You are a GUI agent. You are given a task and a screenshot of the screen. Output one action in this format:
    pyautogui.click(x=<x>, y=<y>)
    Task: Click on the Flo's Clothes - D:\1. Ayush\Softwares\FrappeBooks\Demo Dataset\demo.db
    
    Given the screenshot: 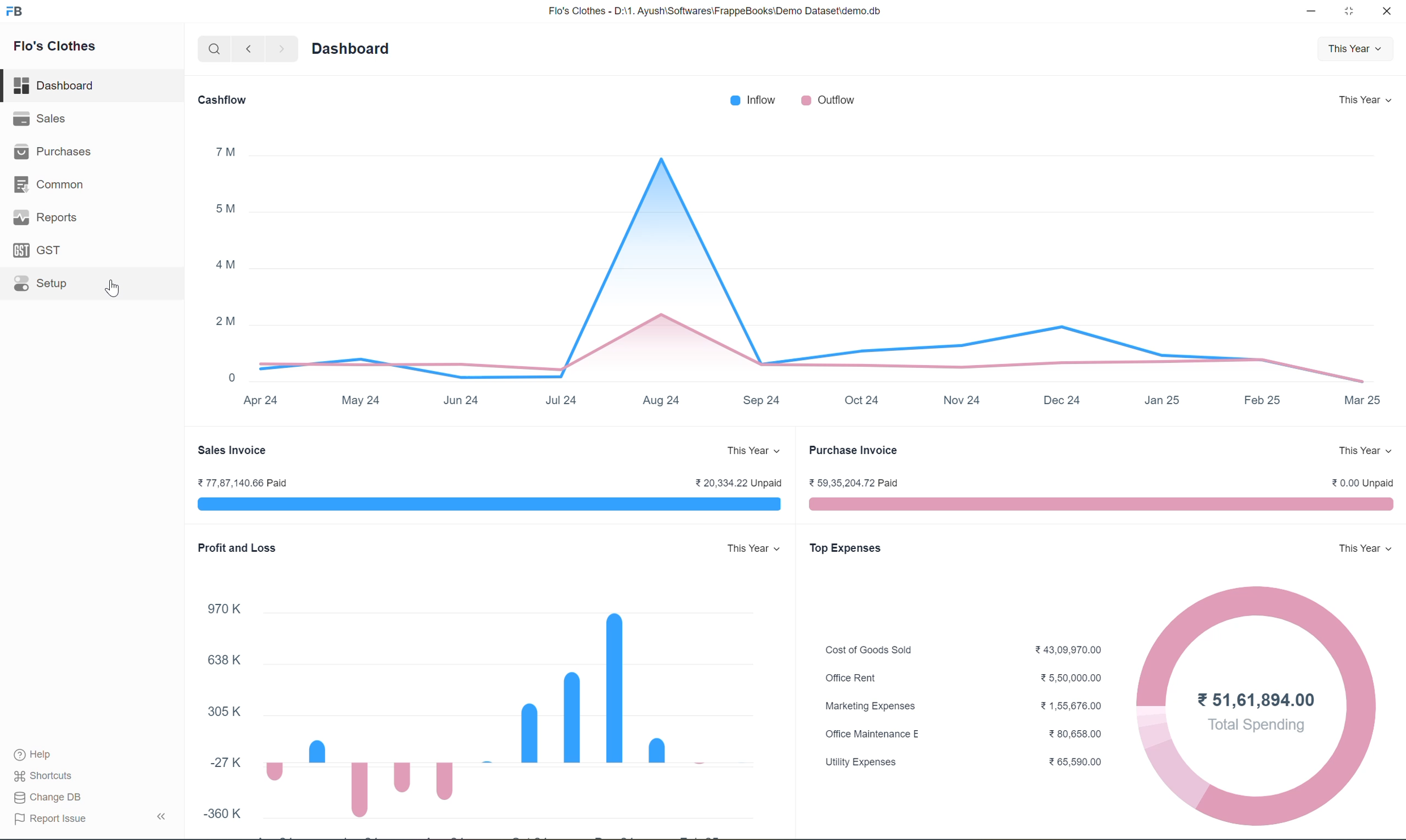 What is the action you would take?
    pyautogui.click(x=713, y=10)
    